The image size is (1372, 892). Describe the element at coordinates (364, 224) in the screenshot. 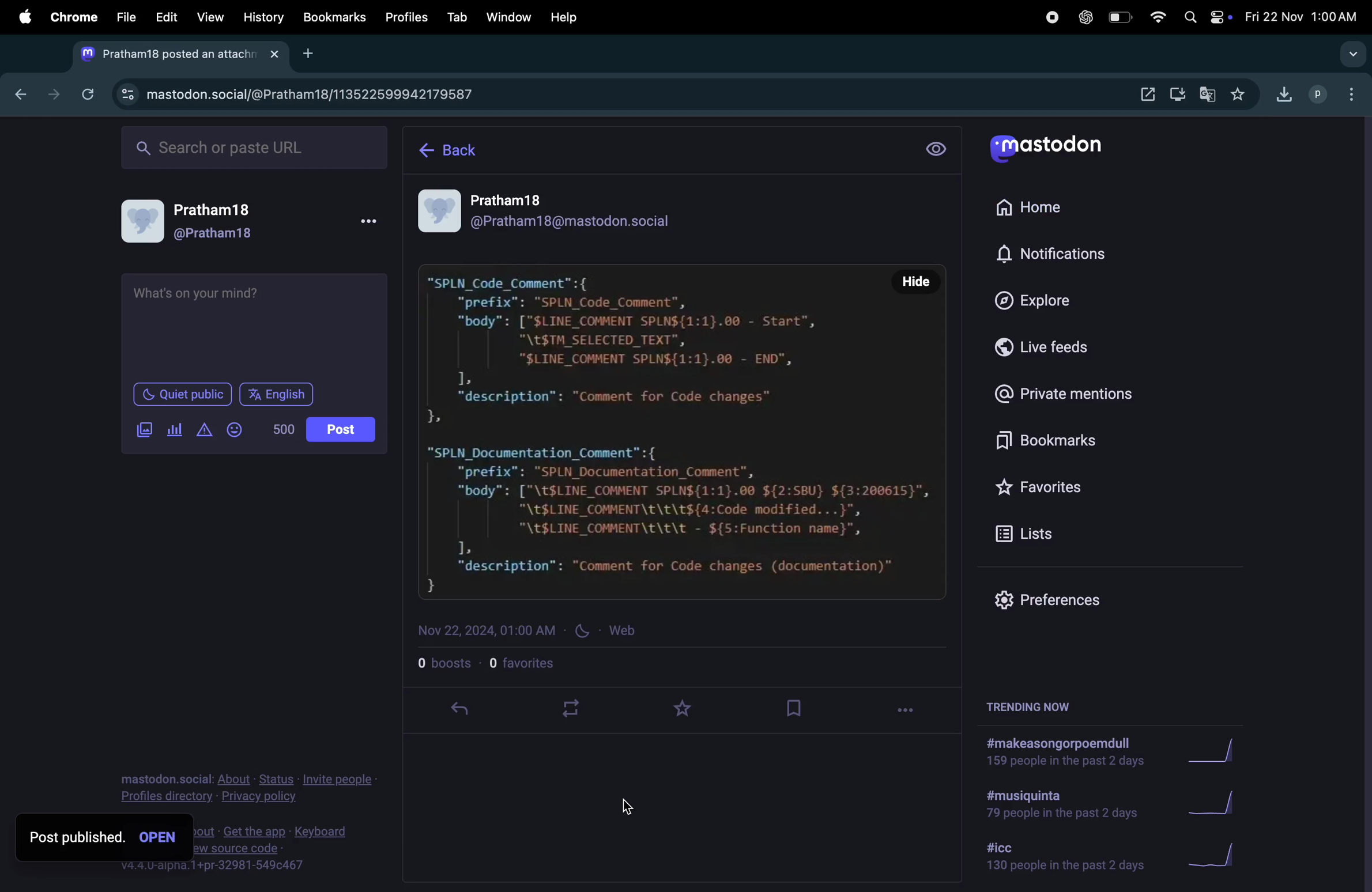

I see `view more options` at that location.